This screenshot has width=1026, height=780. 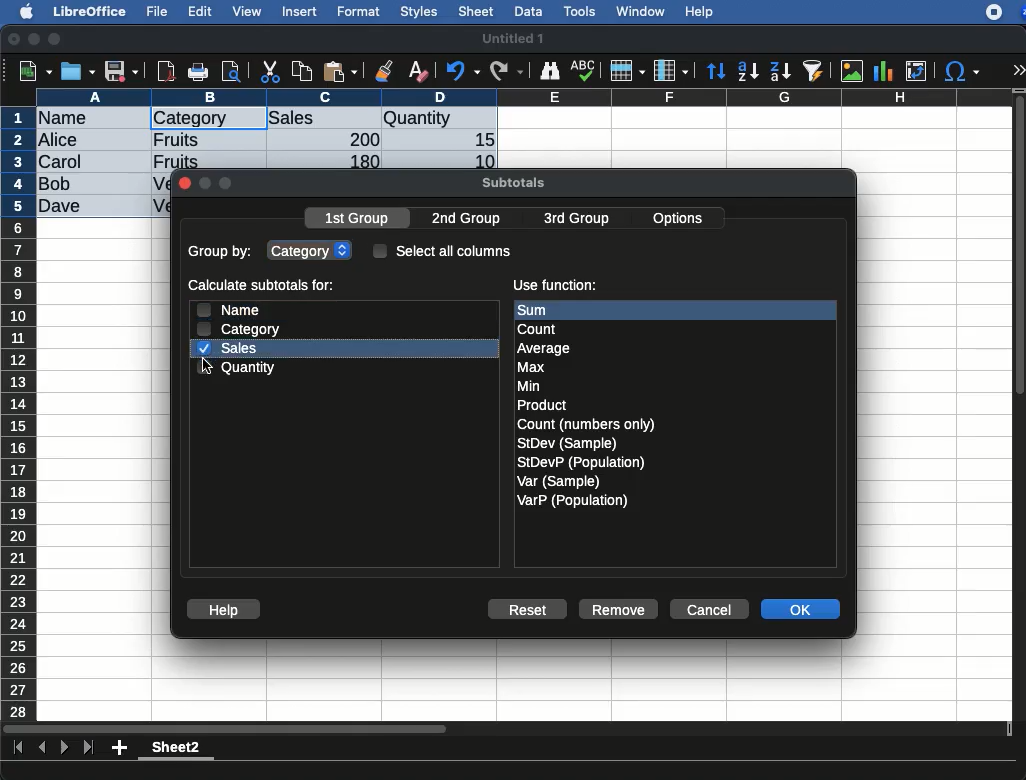 I want to click on options , so click(x=680, y=215).